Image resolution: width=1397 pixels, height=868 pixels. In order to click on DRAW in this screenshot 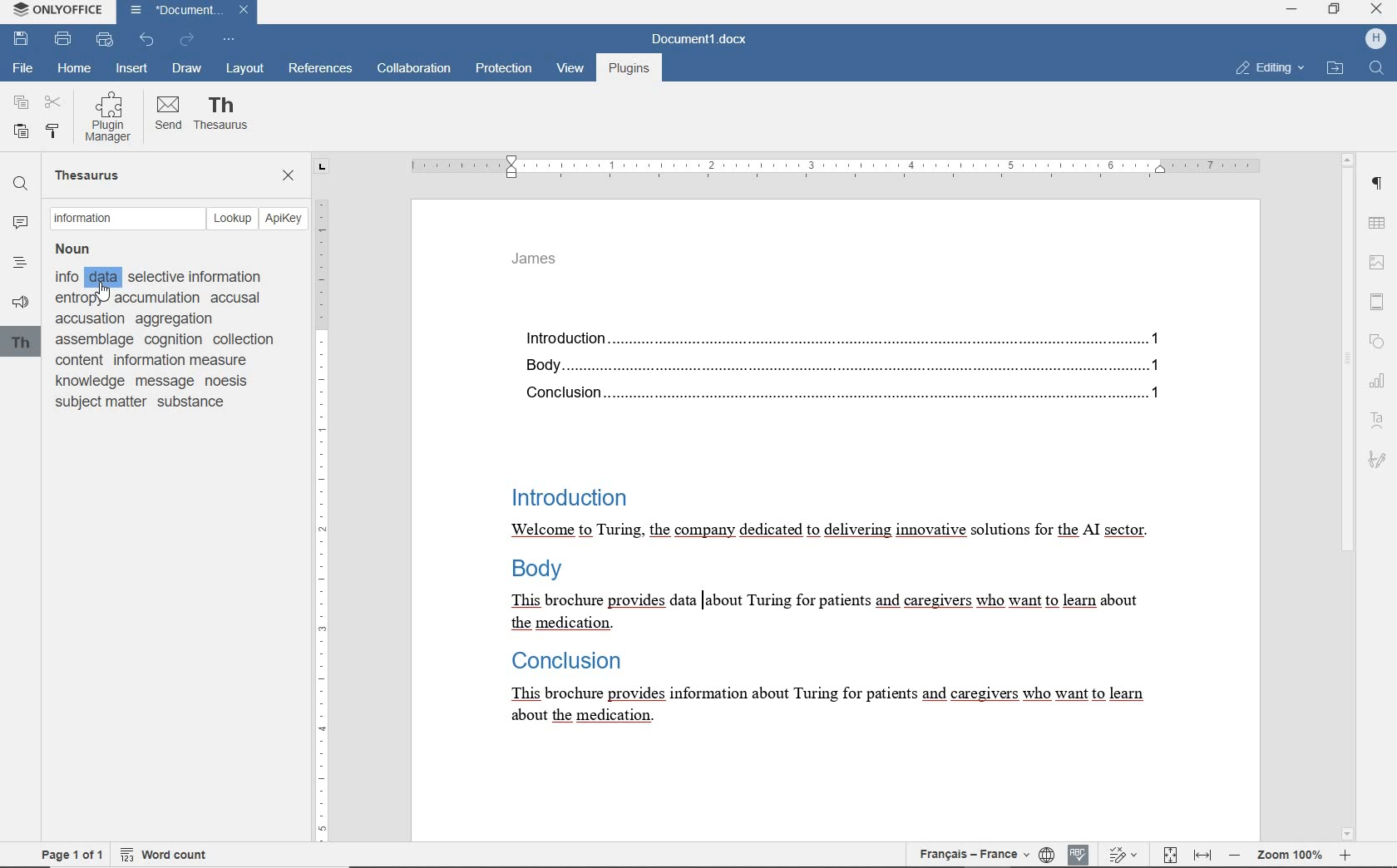, I will do `click(187, 68)`.